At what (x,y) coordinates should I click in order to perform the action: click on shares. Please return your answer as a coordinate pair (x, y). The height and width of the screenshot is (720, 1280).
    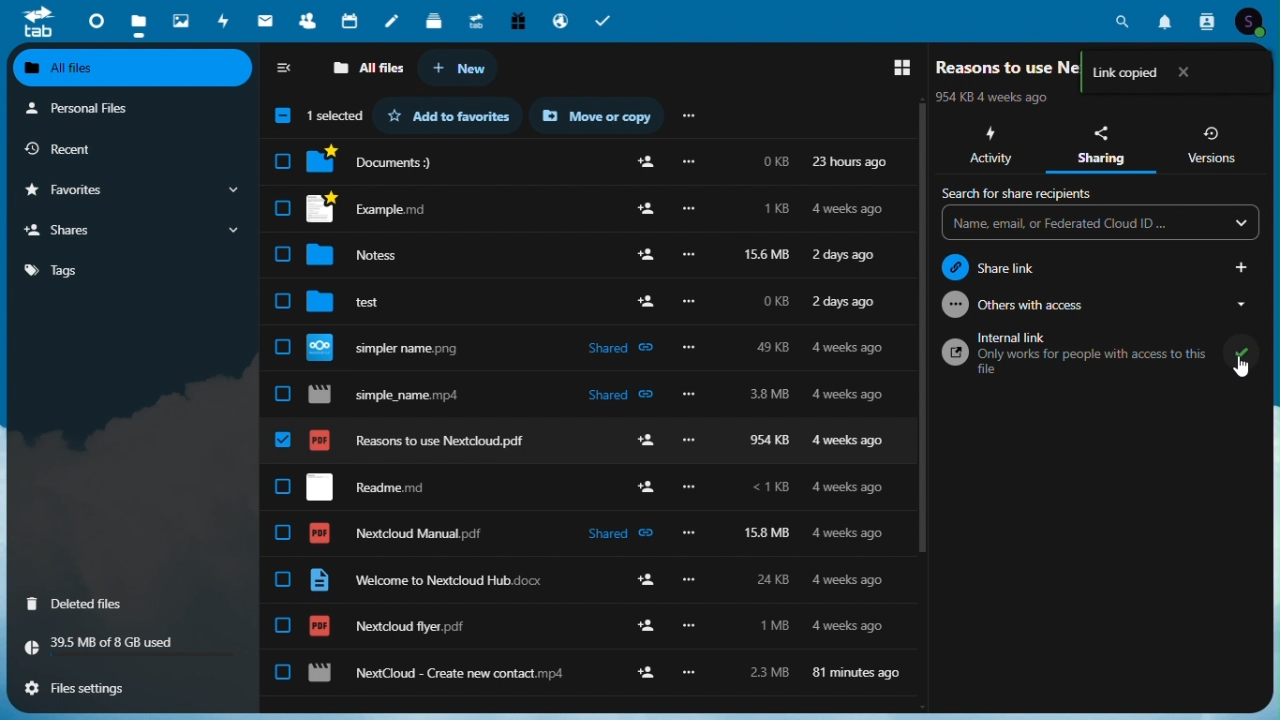
    Looking at the image, I should click on (134, 230).